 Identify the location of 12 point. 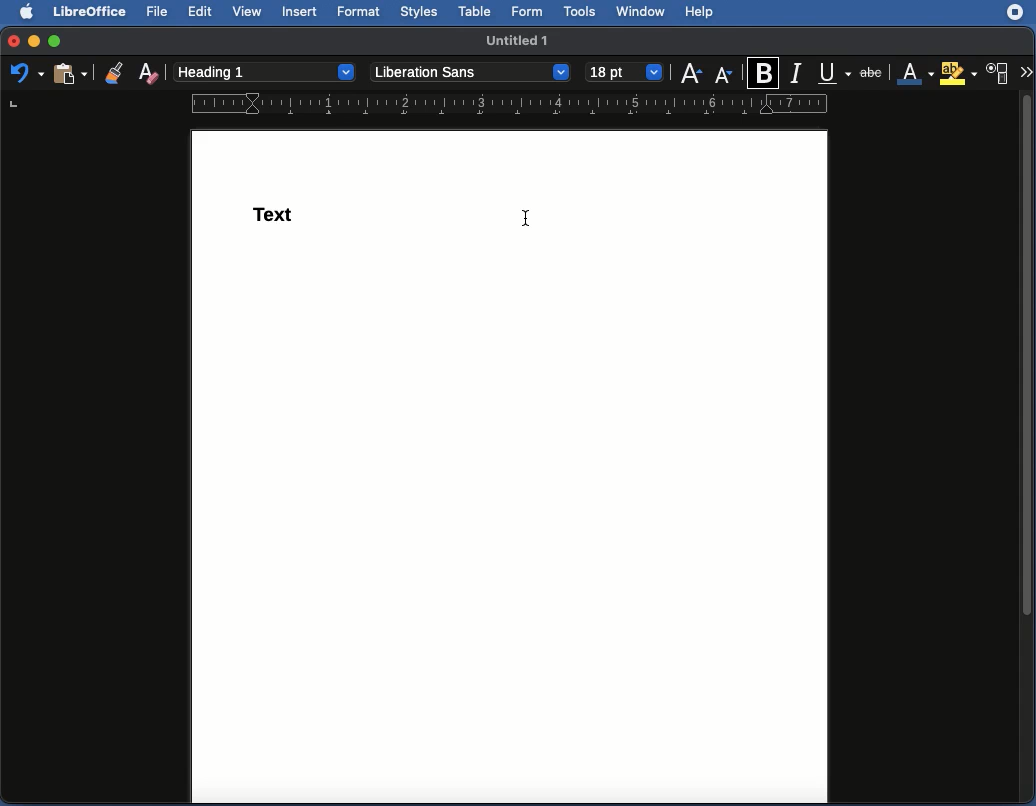
(629, 72).